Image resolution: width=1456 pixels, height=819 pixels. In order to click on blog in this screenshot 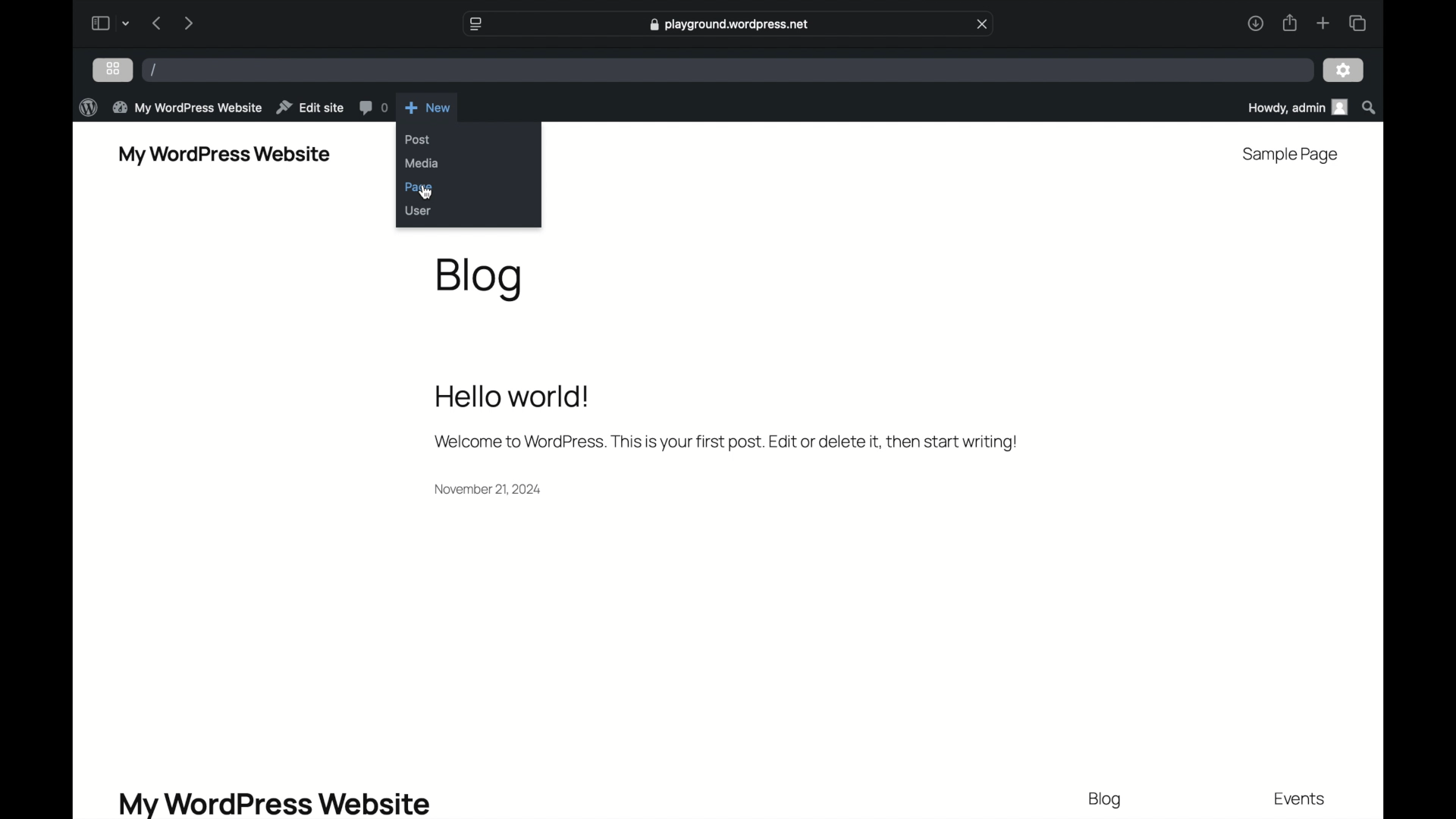, I will do `click(1106, 800)`.